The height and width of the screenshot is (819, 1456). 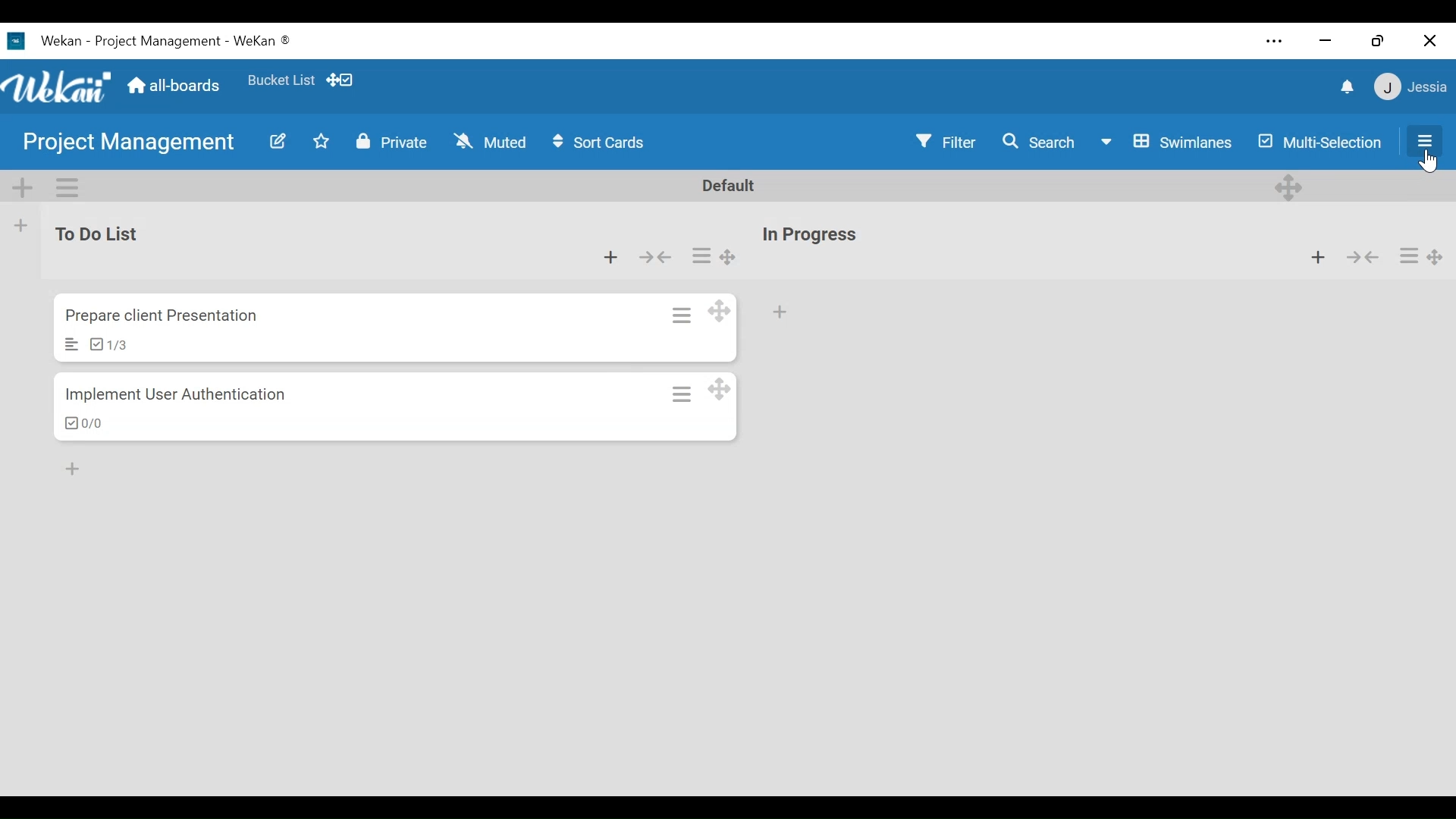 What do you see at coordinates (681, 314) in the screenshot?
I see `Card Actions` at bounding box center [681, 314].